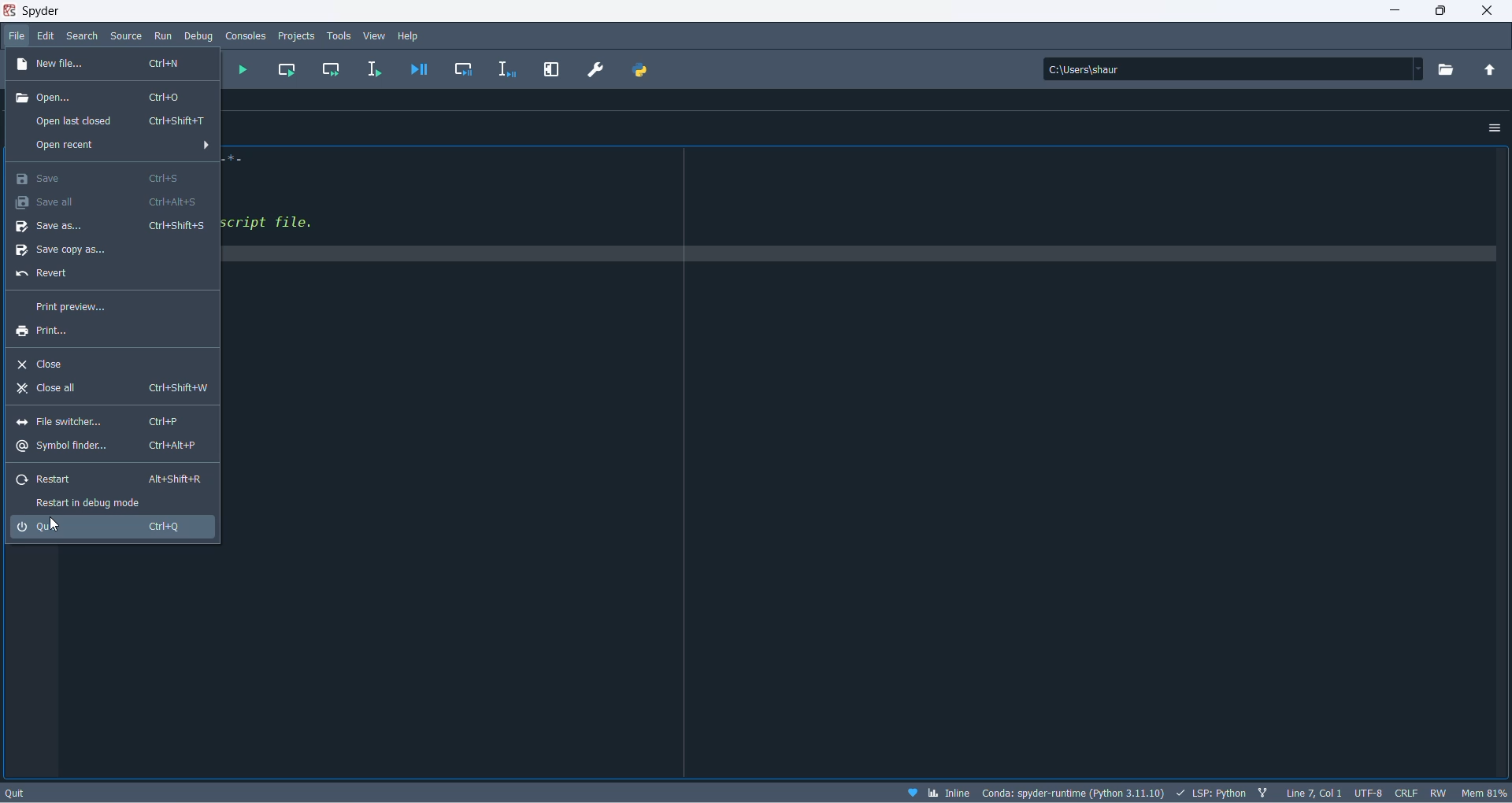 The image size is (1512, 803). Describe the element at coordinates (334, 71) in the screenshot. I see `run current cell` at that location.